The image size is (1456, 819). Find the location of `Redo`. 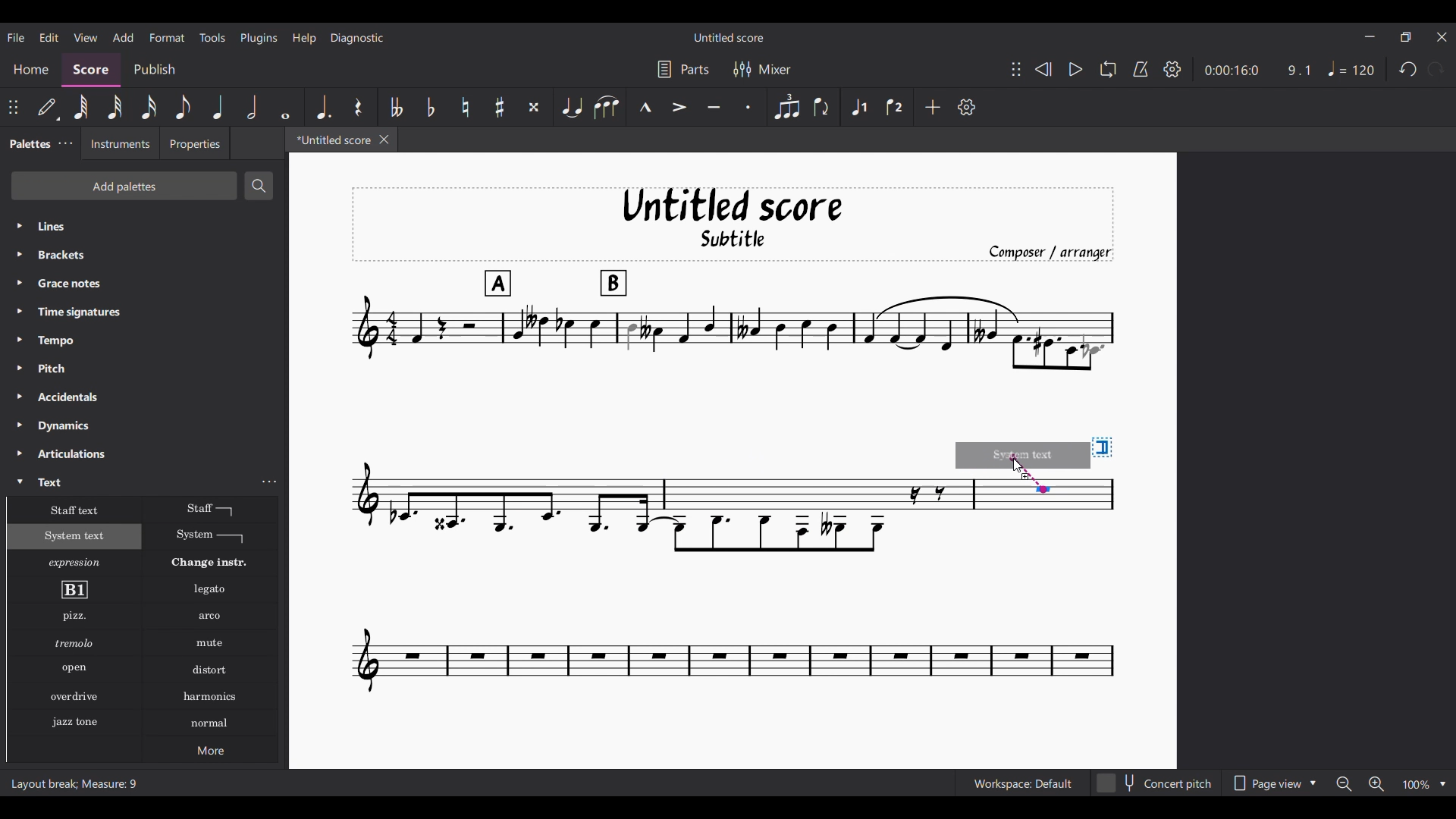

Redo is located at coordinates (1436, 69).